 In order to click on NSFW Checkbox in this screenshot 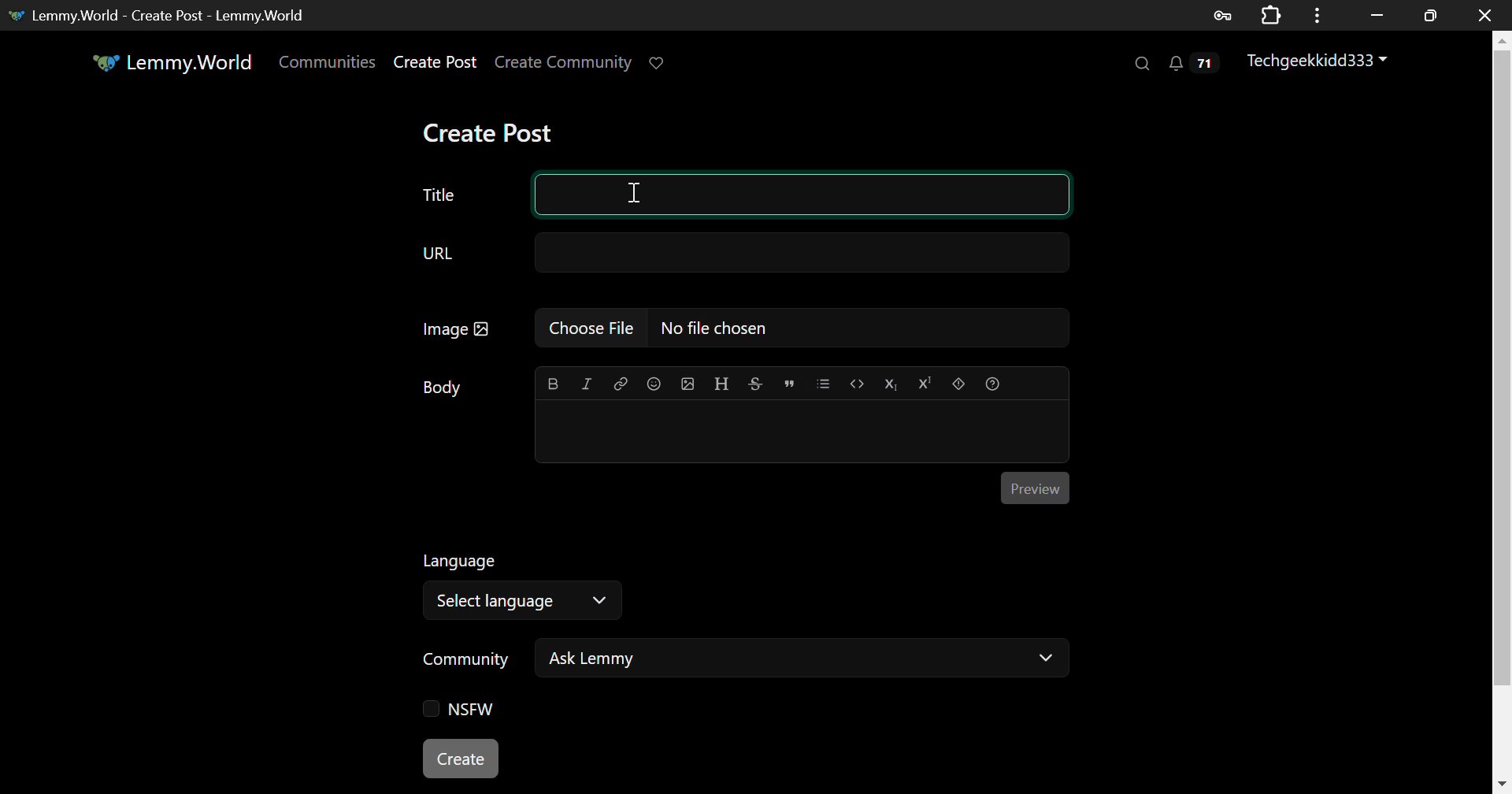, I will do `click(465, 710)`.